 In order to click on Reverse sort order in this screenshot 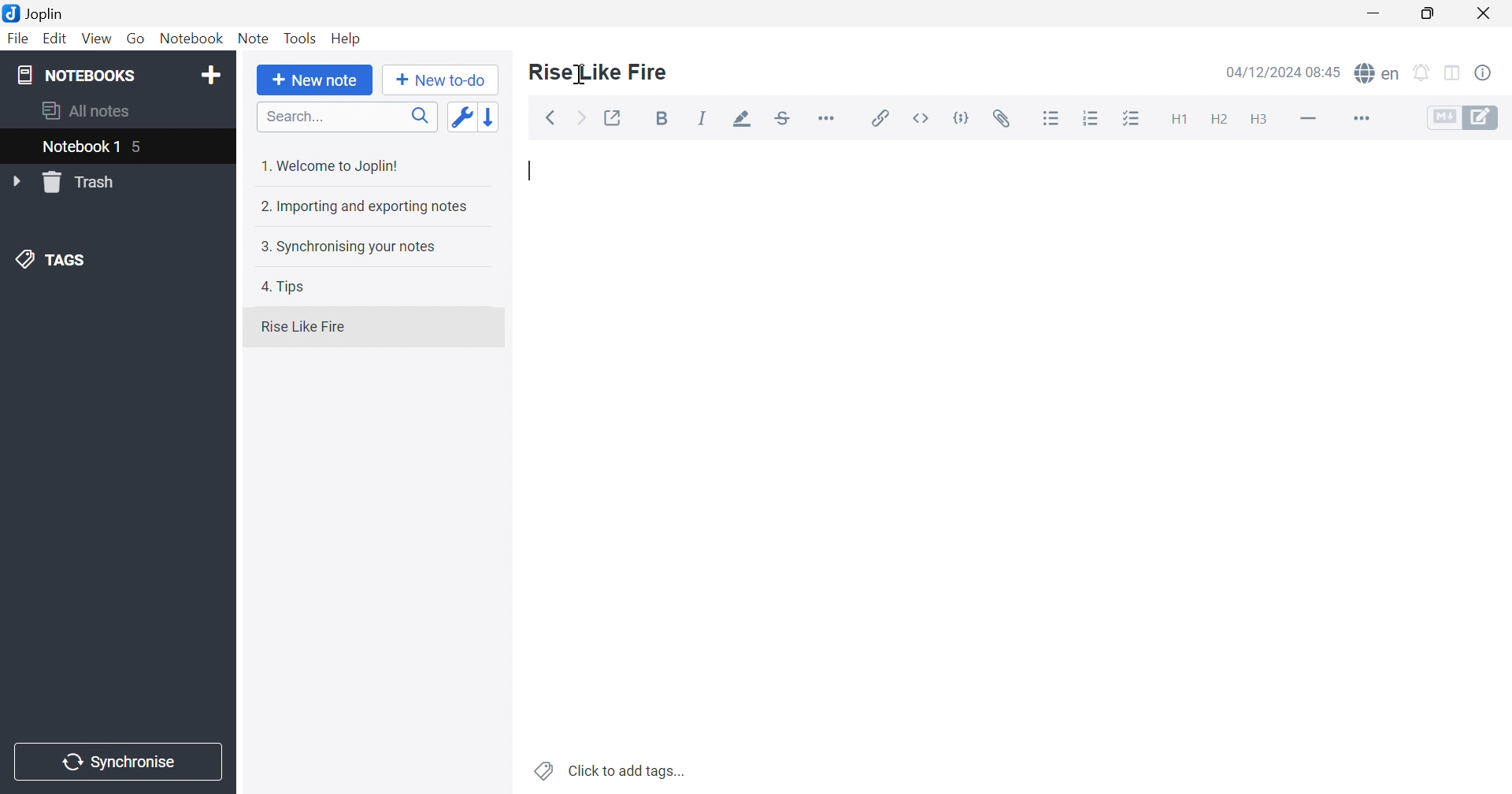, I will do `click(491, 117)`.